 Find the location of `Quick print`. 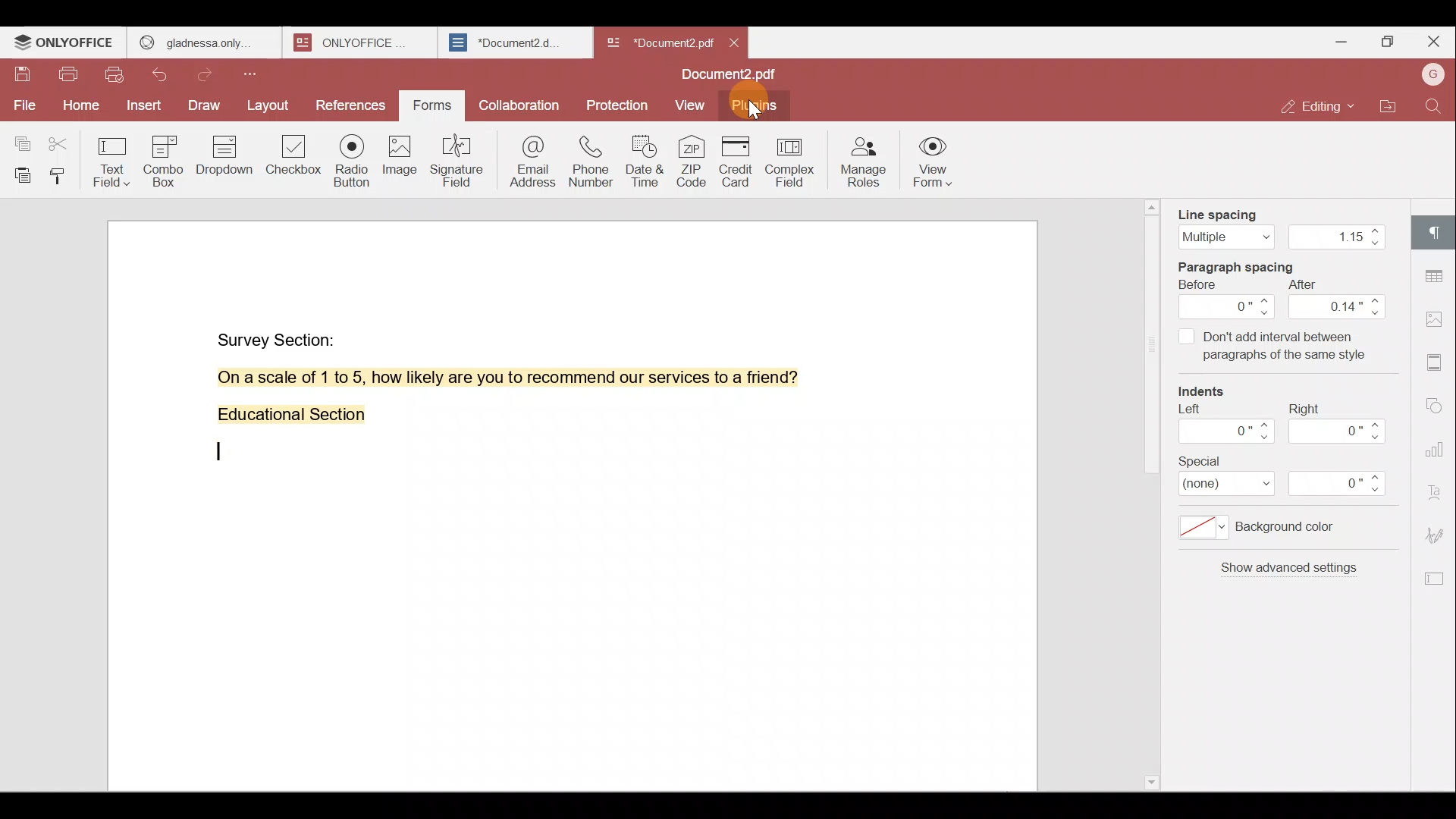

Quick print is located at coordinates (116, 77).